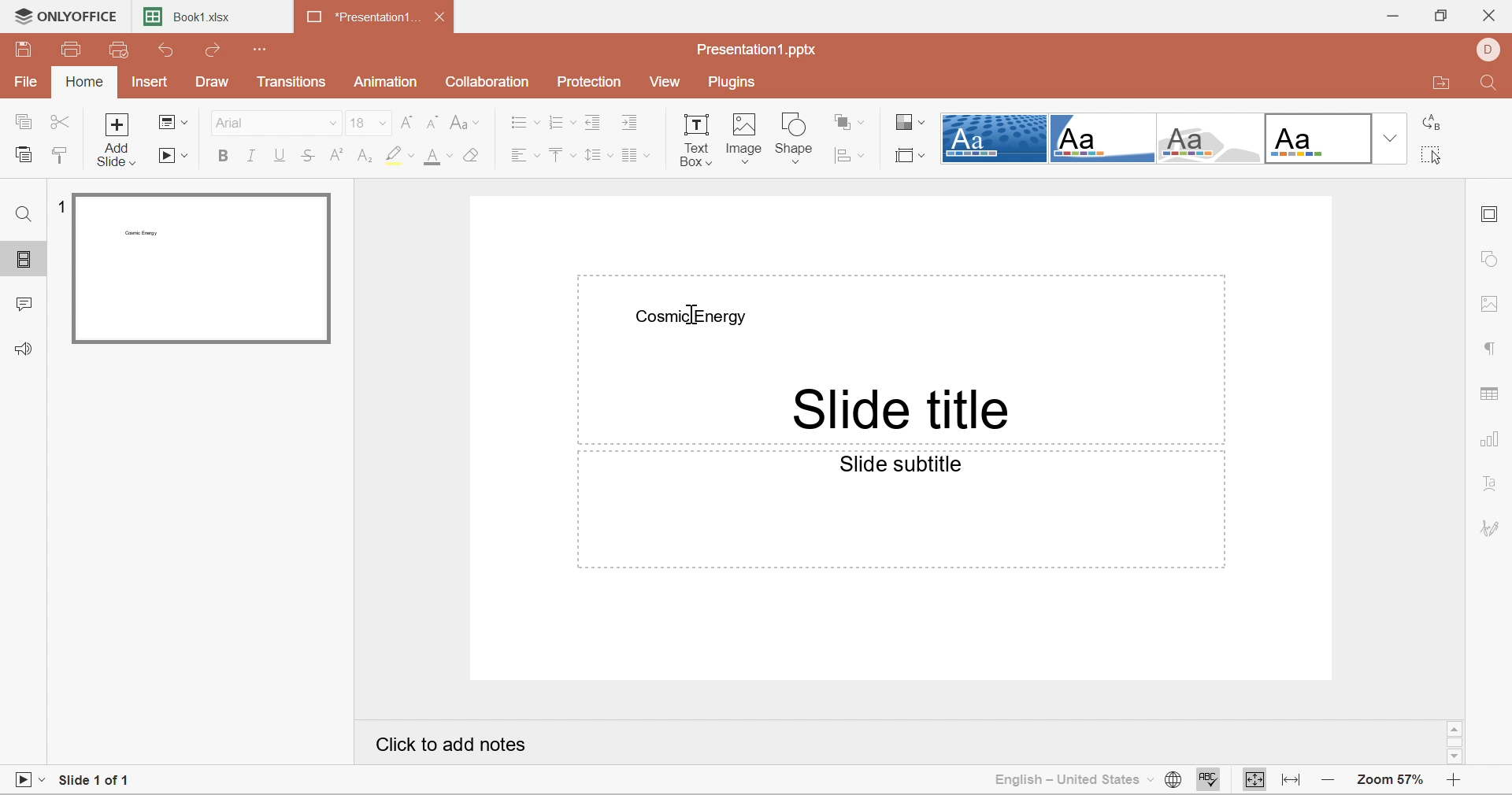  Describe the element at coordinates (1455, 779) in the screenshot. I see `Zoom in` at that location.